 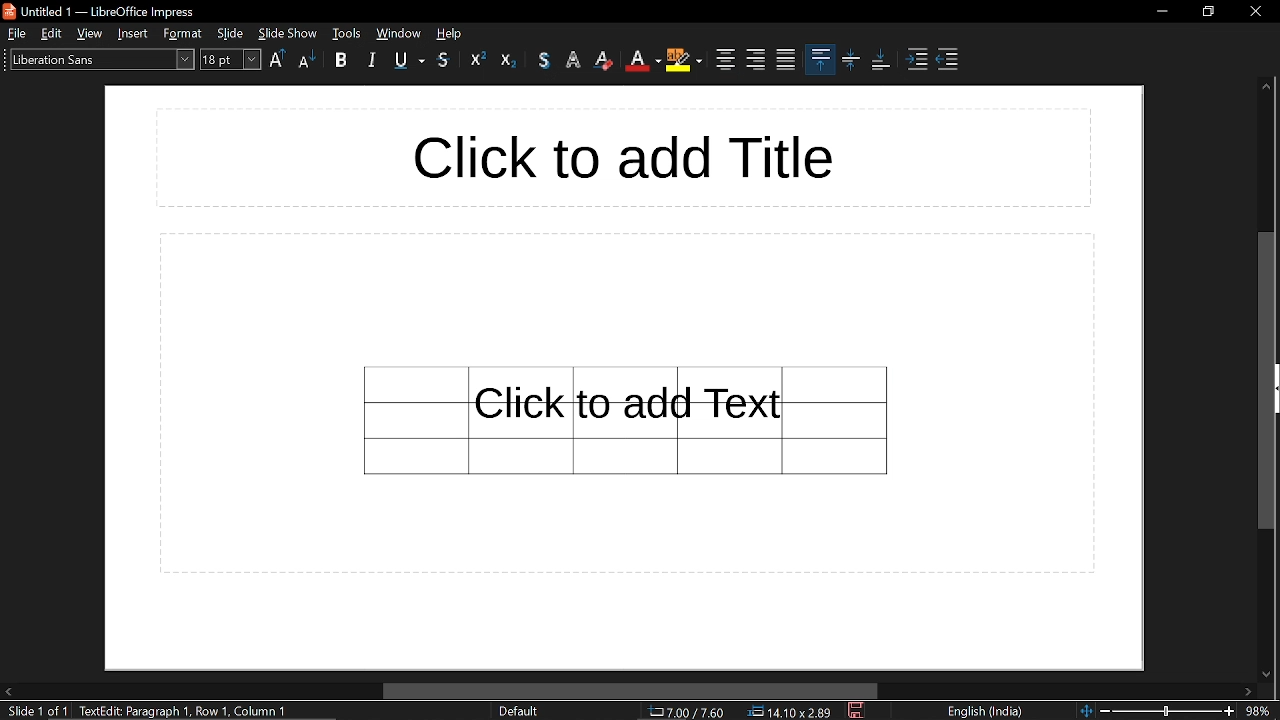 What do you see at coordinates (544, 60) in the screenshot?
I see `shadow` at bounding box center [544, 60].